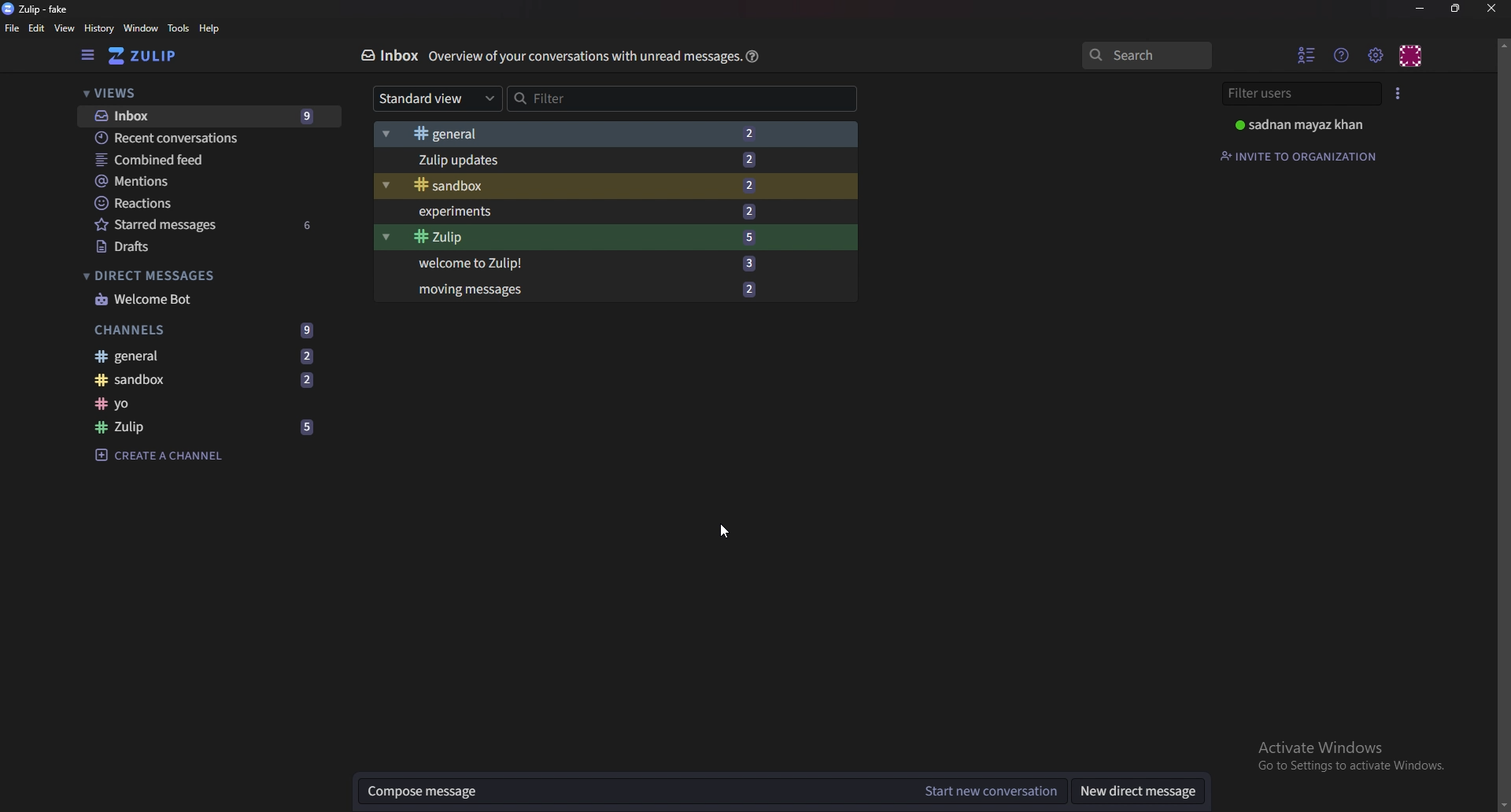  Describe the element at coordinates (683, 98) in the screenshot. I see `Filter` at that location.